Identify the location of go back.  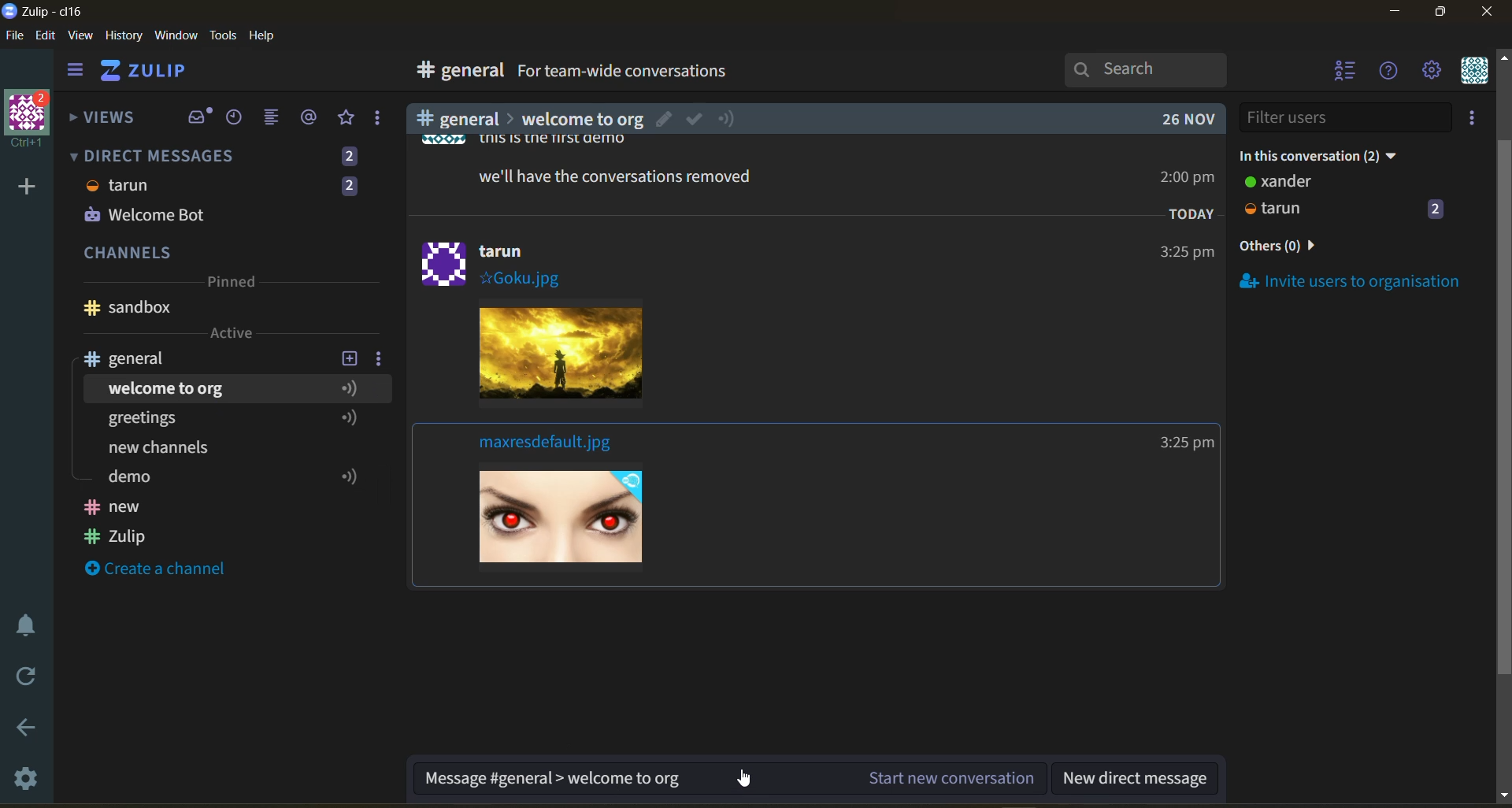
(24, 728).